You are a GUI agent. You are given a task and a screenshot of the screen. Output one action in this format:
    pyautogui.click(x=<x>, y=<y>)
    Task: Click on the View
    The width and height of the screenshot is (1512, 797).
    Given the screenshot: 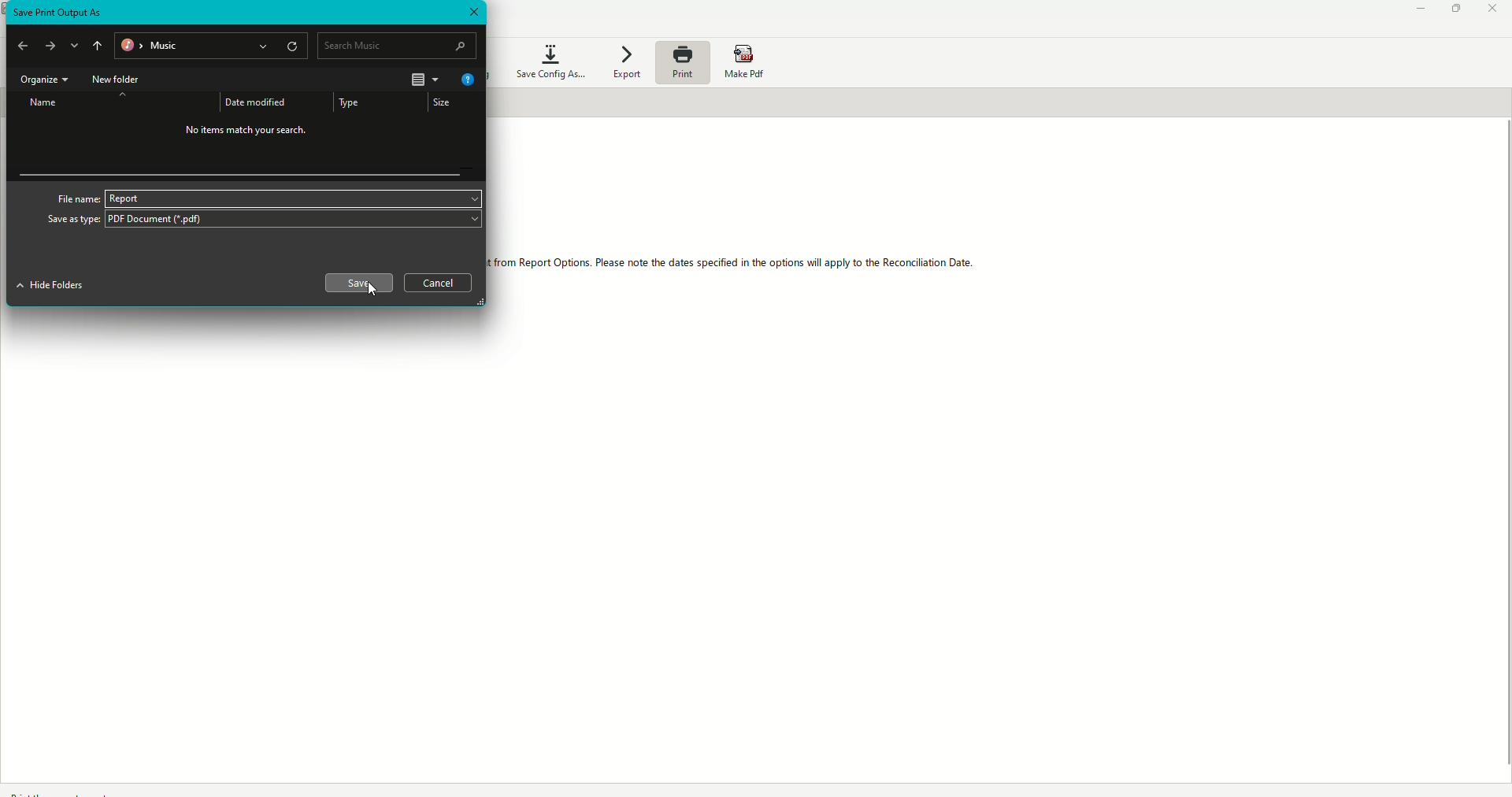 What is the action you would take?
    pyautogui.click(x=422, y=79)
    